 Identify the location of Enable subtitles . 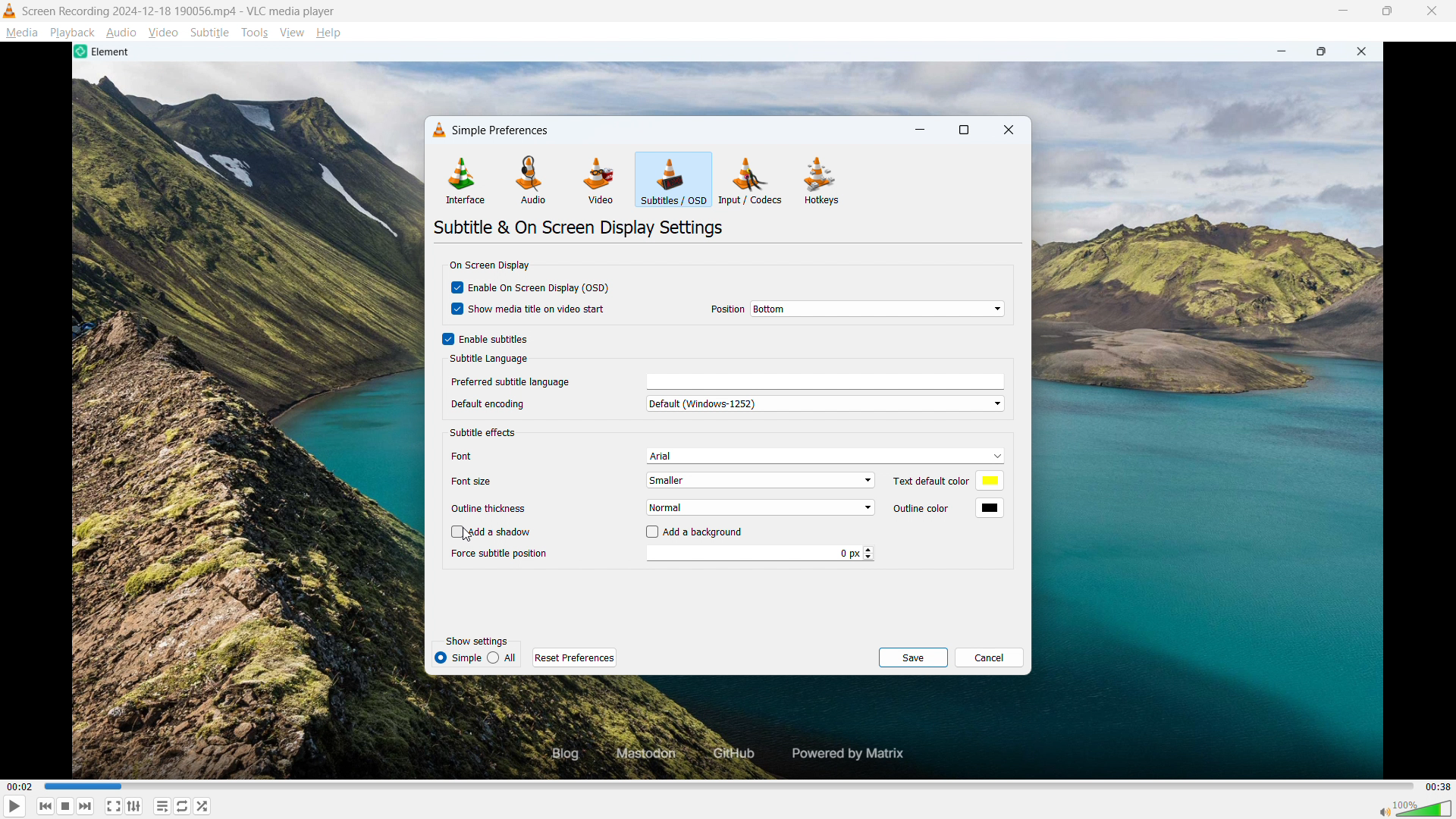
(496, 339).